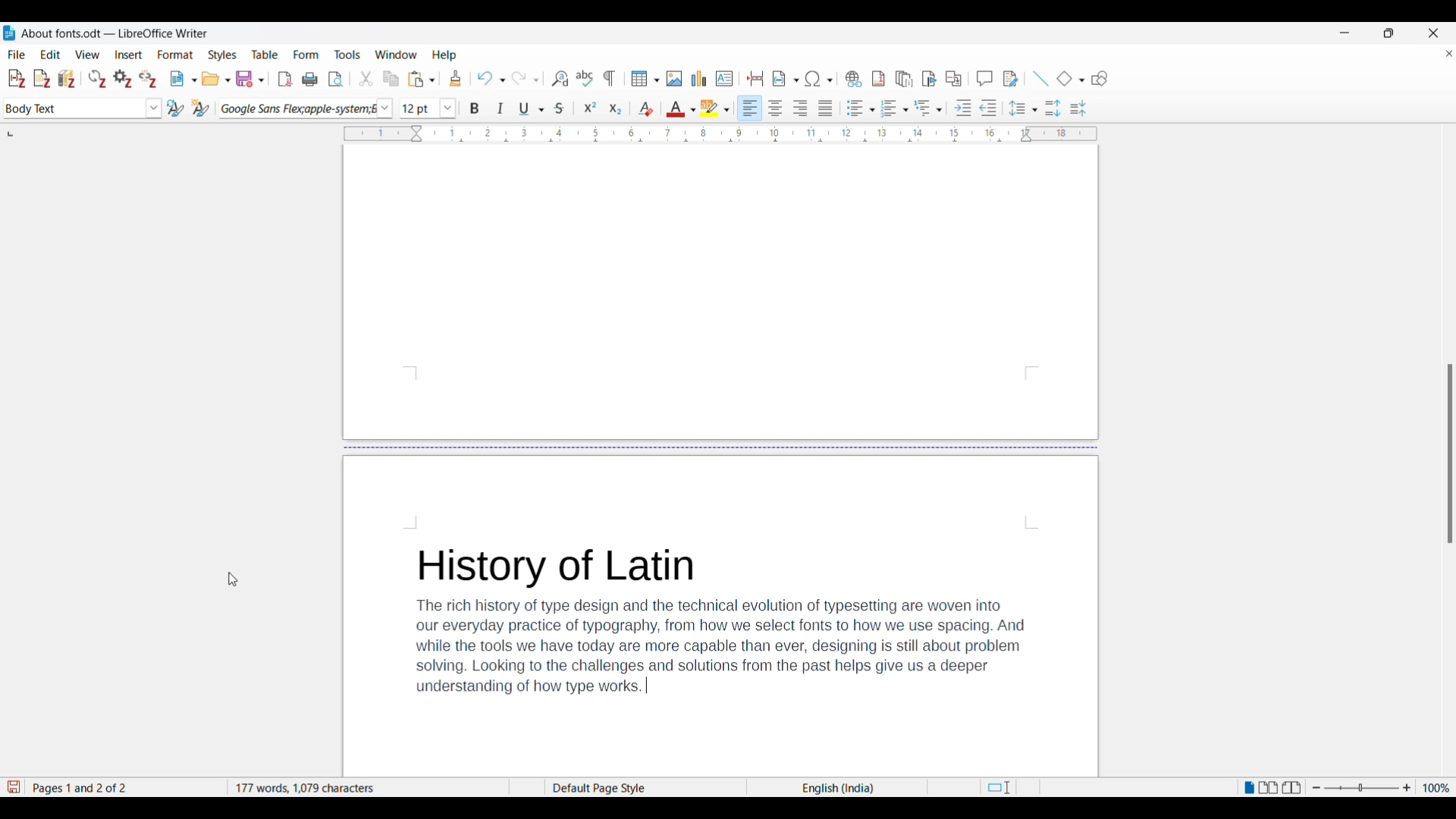 The width and height of the screenshot is (1456, 819). I want to click on Page break in document, so click(722, 447).